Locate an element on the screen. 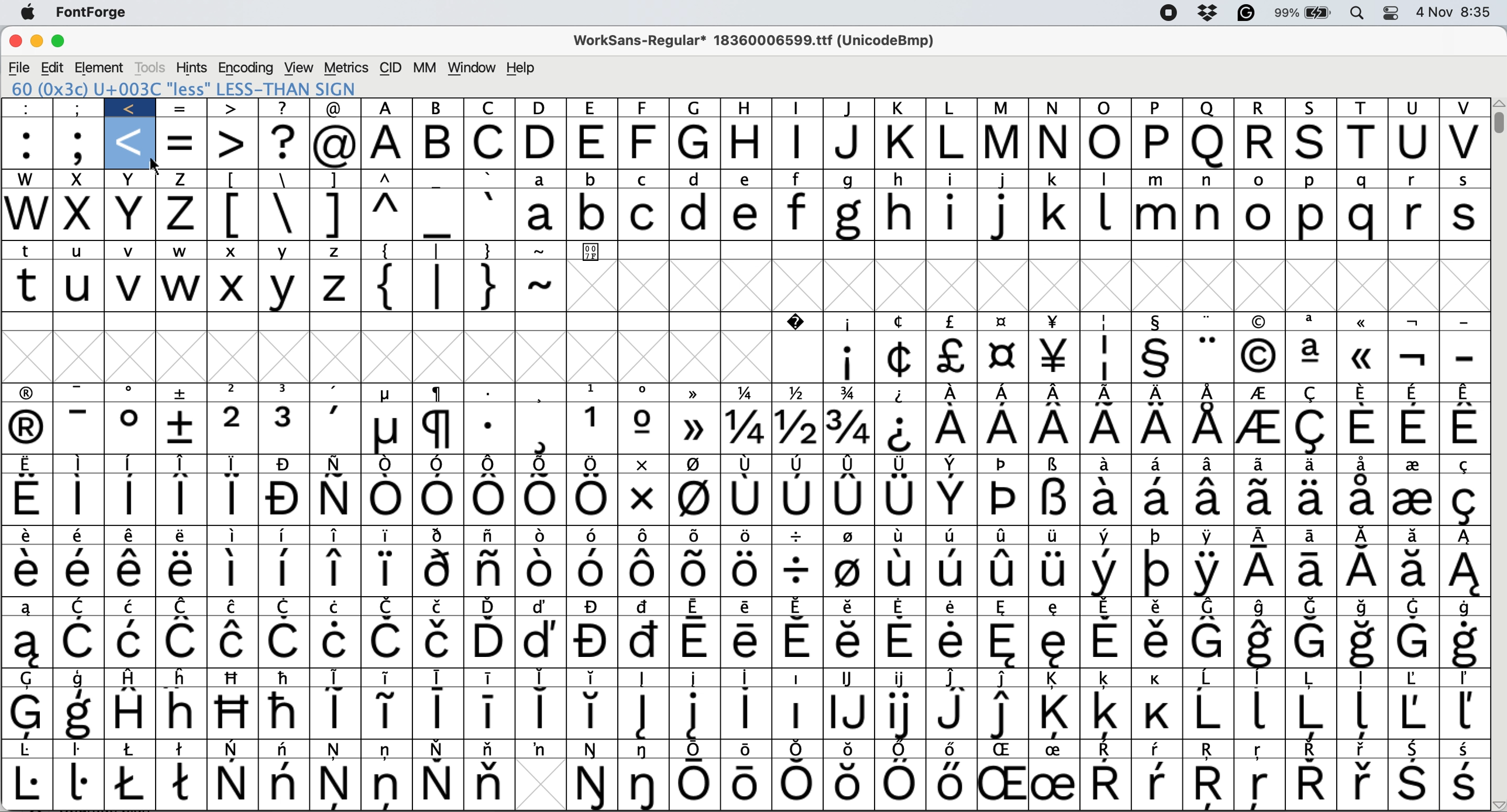 This screenshot has height=812, width=1507. Symbol is located at coordinates (594, 679).